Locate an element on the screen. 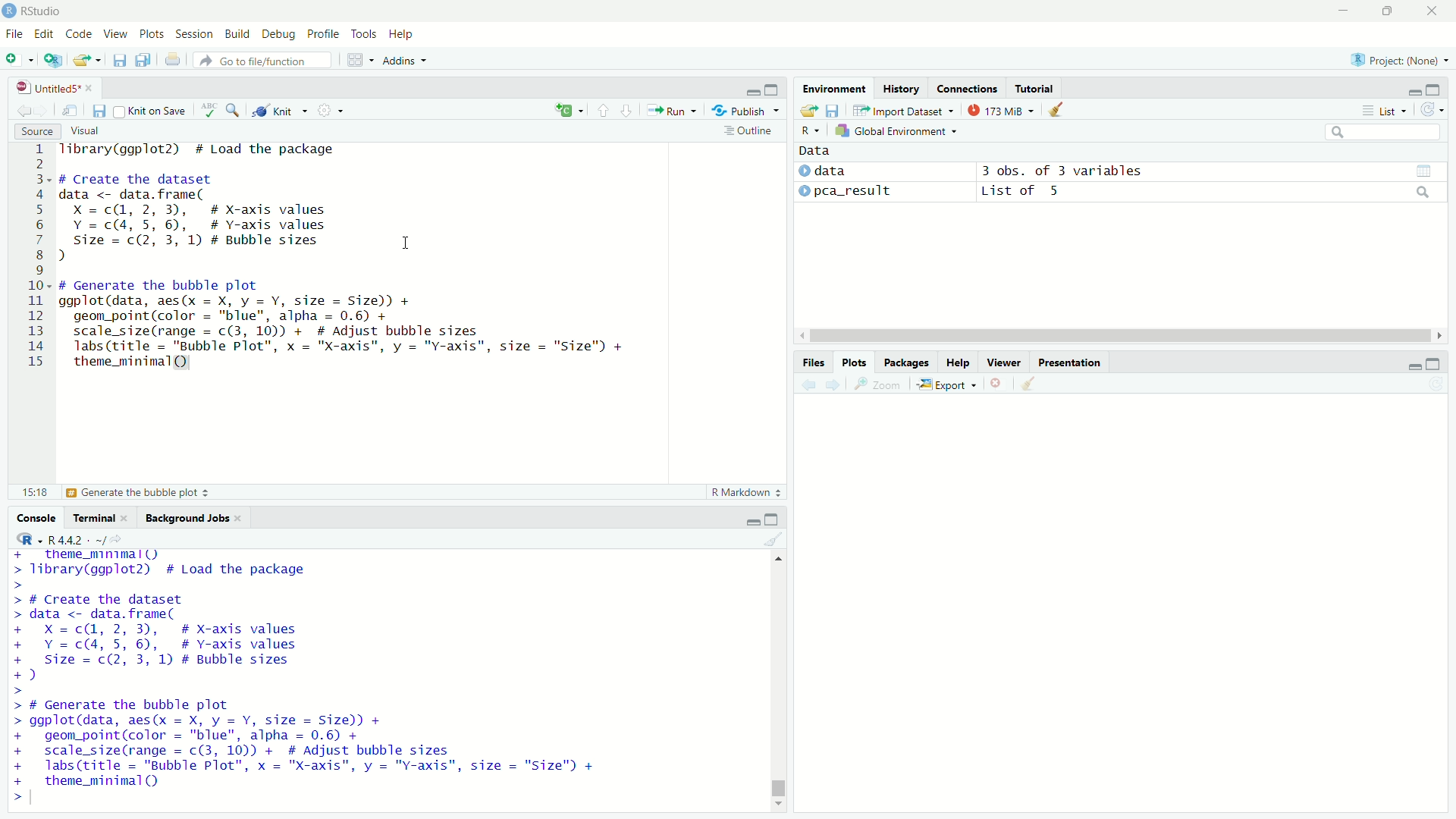 This screenshot has width=1456, height=819. maximize is located at coordinates (1436, 88).